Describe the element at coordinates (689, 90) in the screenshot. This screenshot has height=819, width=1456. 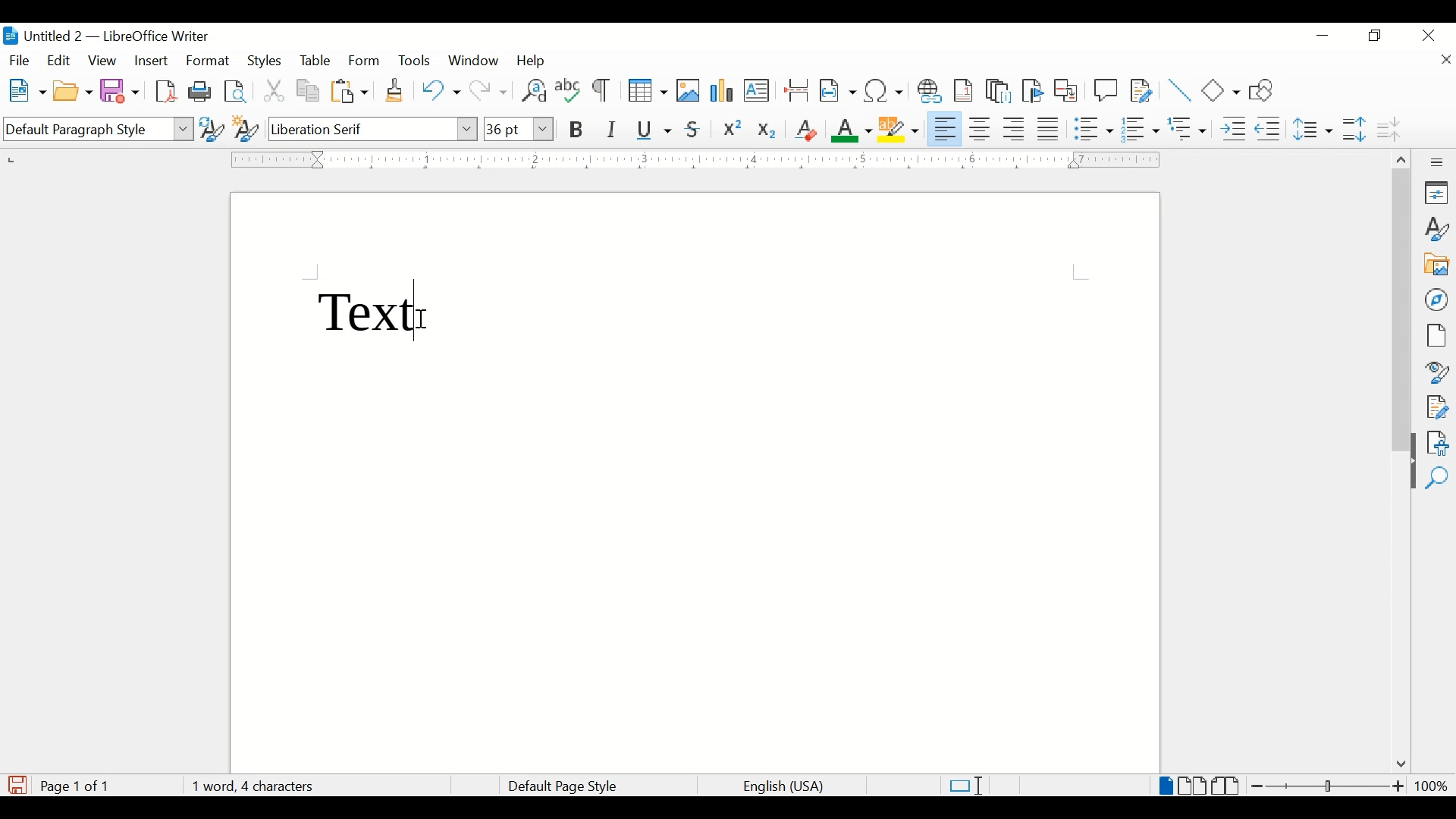
I see `insert image` at that location.